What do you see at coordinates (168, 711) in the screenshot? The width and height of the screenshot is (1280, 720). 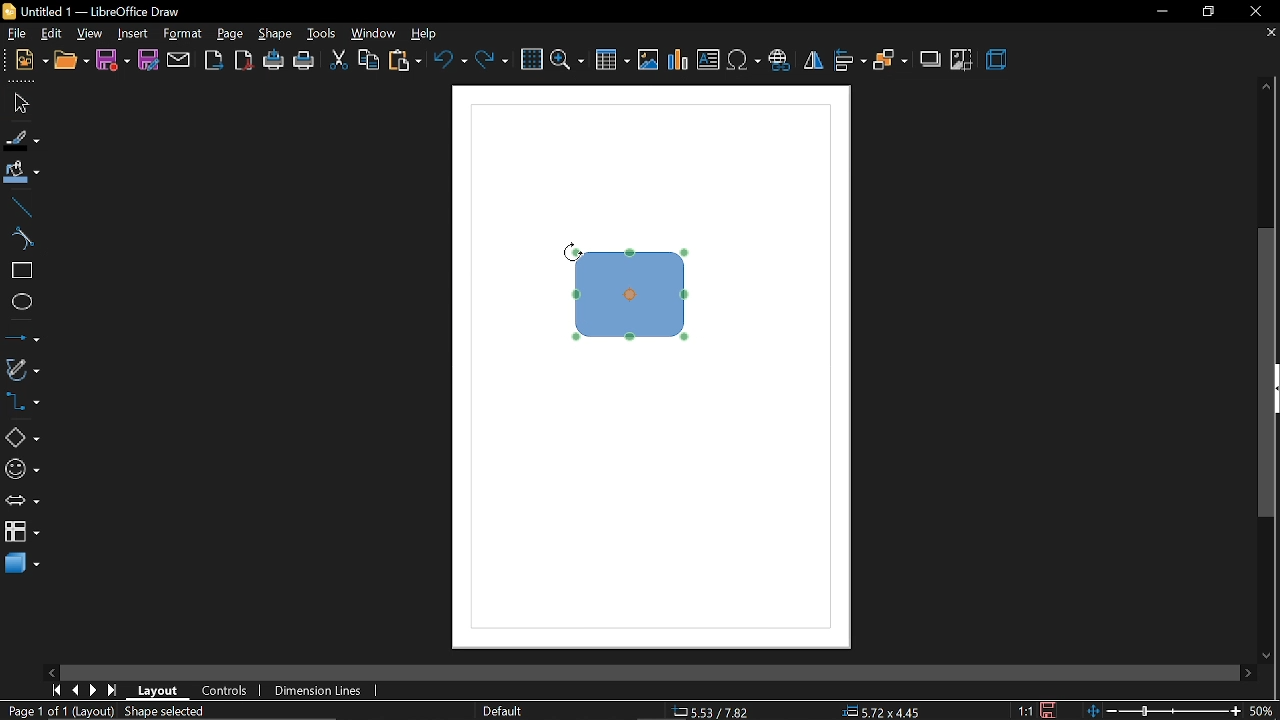 I see `shape selected` at bounding box center [168, 711].